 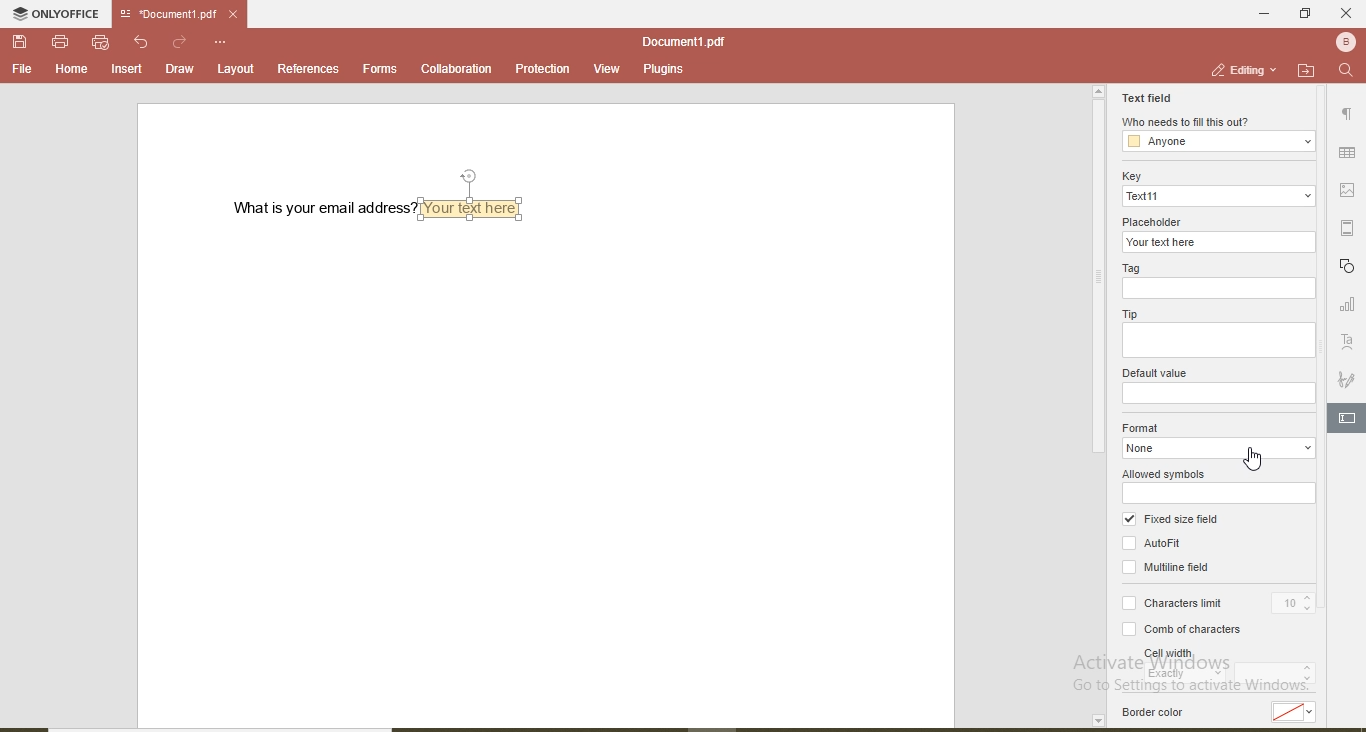 What do you see at coordinates (1350, 416) in the screenshot?
I see `edit text` at bounding box center [1350, 416].